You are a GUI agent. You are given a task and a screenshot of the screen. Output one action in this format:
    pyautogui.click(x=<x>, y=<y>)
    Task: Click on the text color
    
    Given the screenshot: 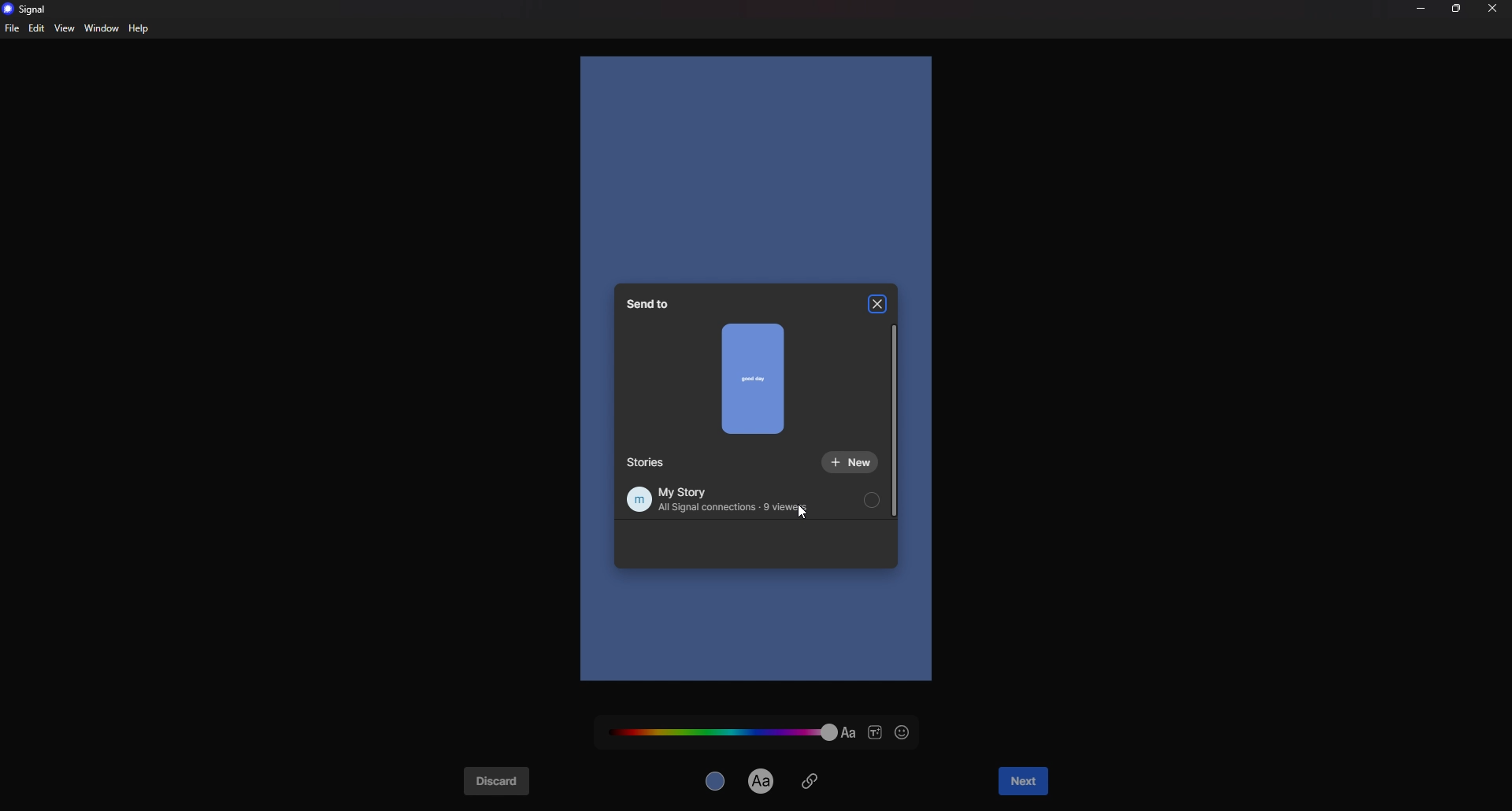 What is the action you would take?
    pyautogui.click(x=721, y=731)
    